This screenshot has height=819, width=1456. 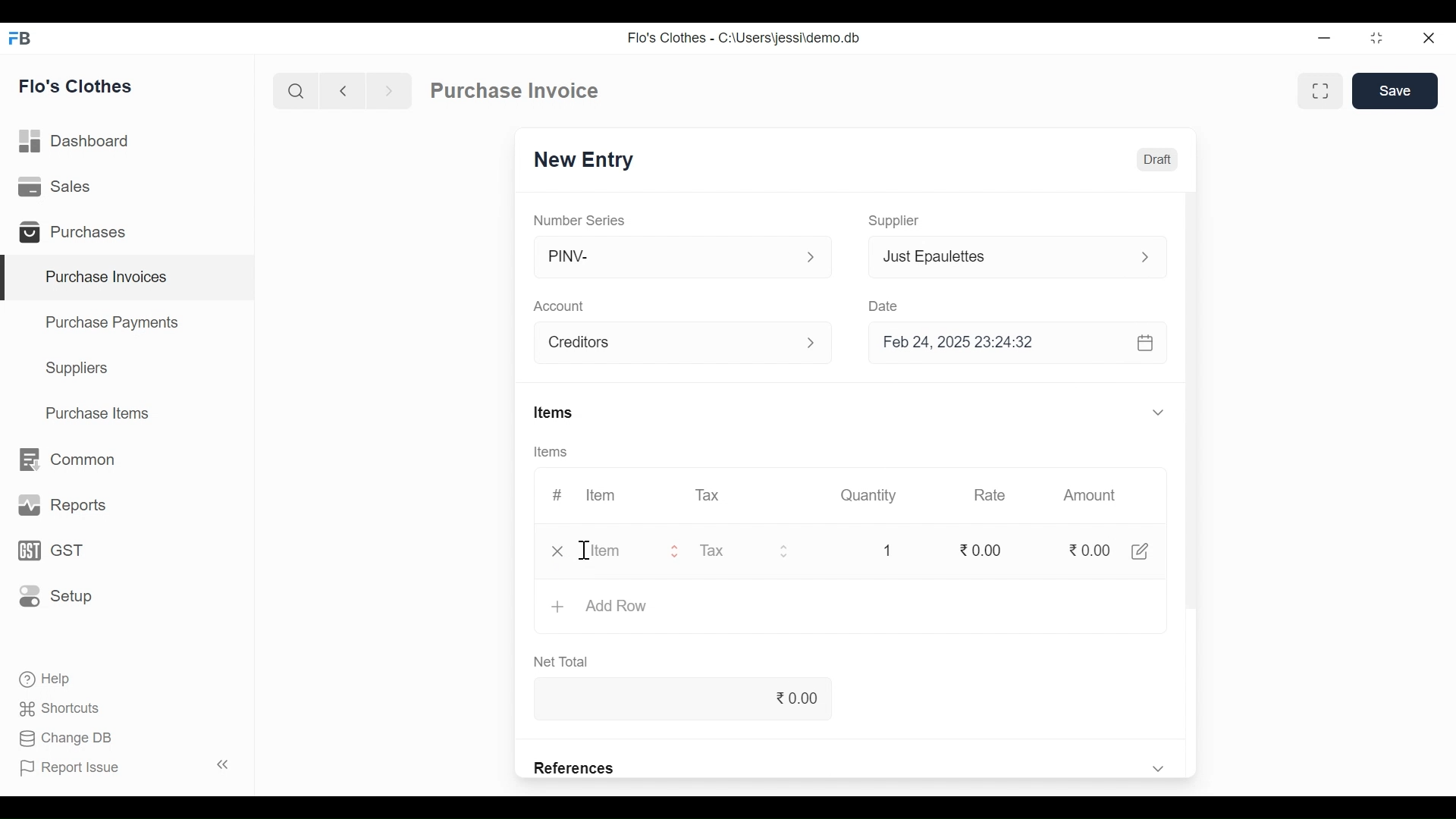 I want to click on 1, so click(x=885, y=551).